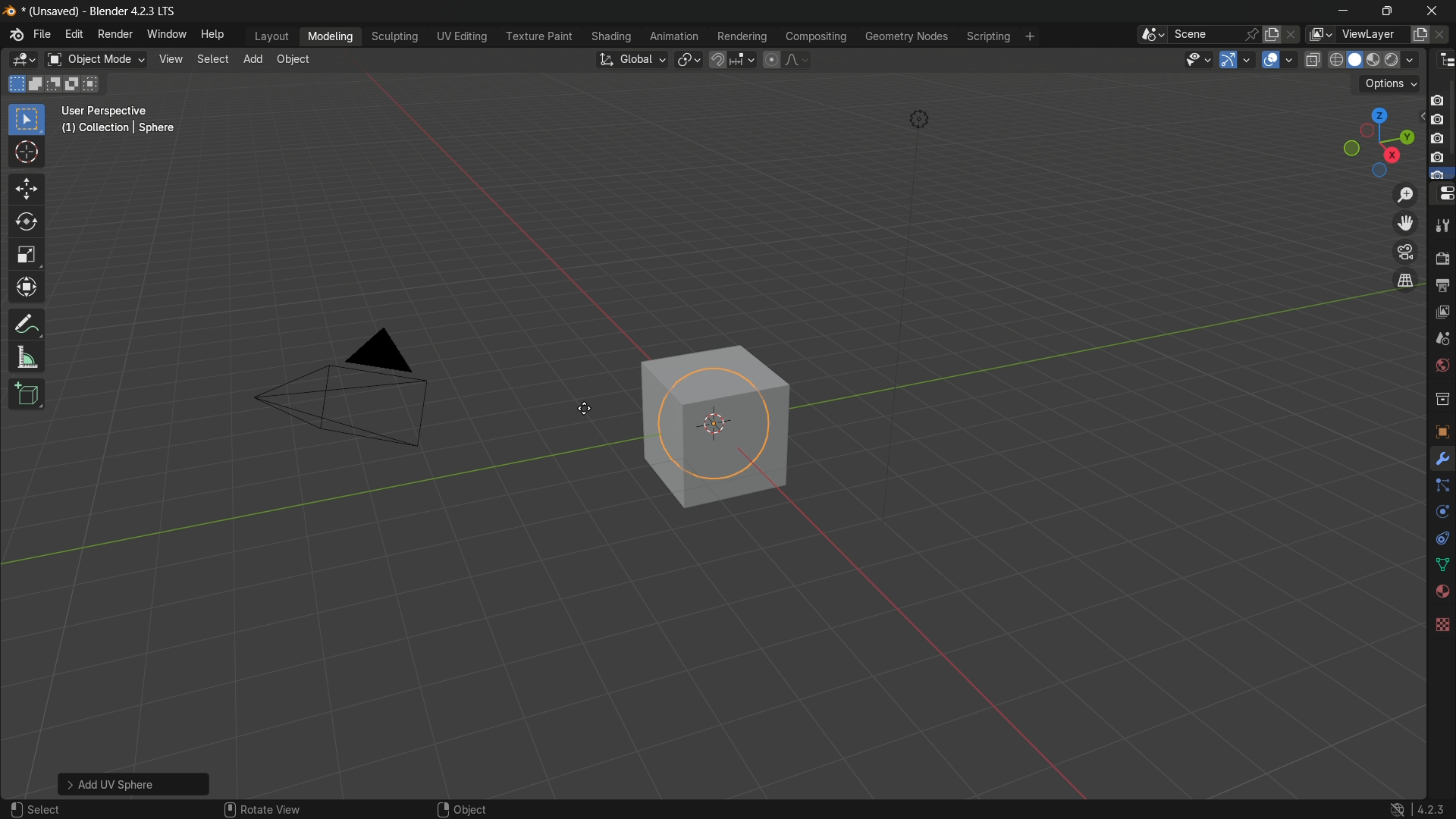 The width and height of the screenshot is (1456, 819). What do you see at coordinates (1442, 459) in the screenshot?
I see `Modifiers Tab` at bounding box center [1442, 459].